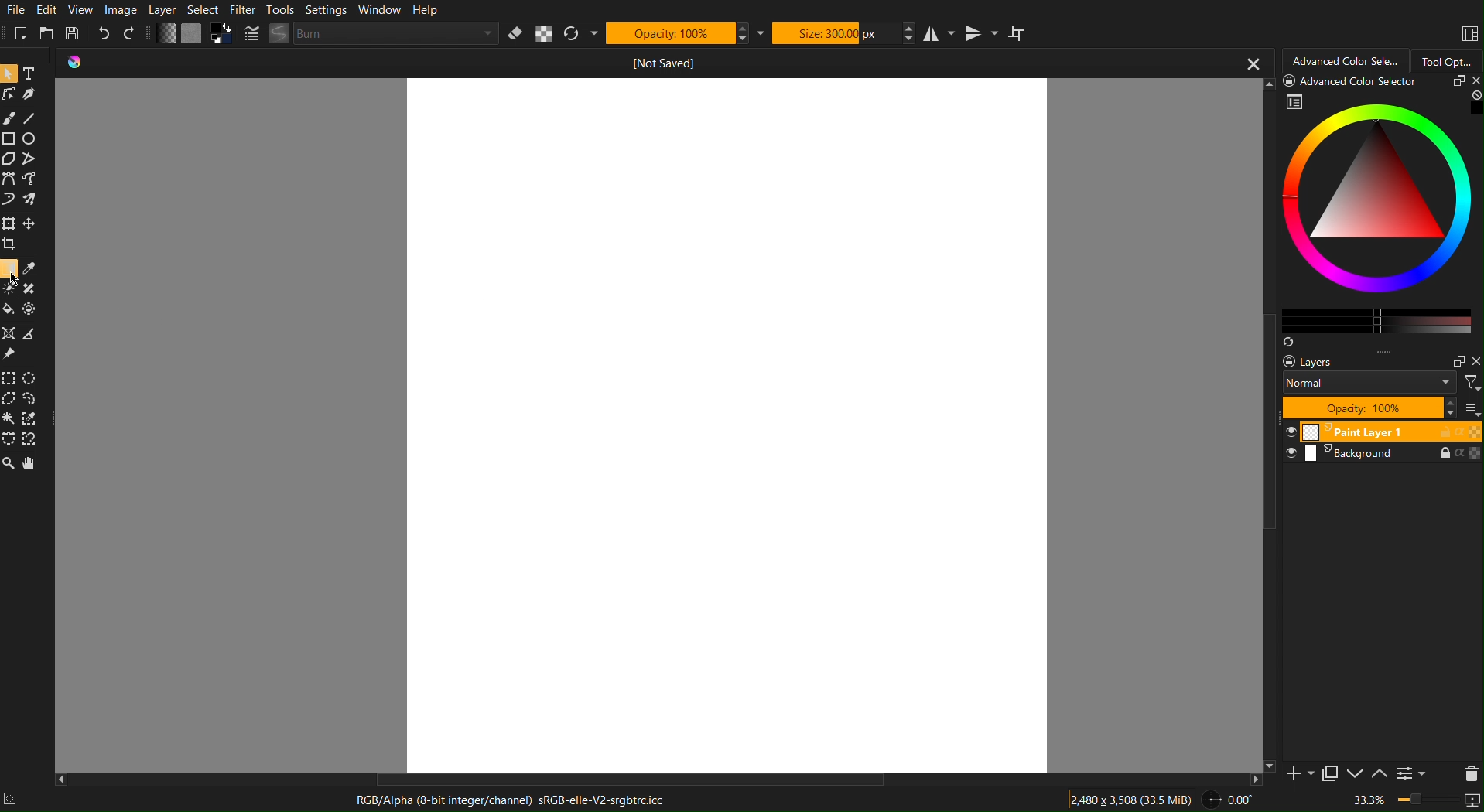  What do you see at coordinates (980, 32) in the screenshot?
I see `Vertical Mirror` at bounding box center [980, 32].